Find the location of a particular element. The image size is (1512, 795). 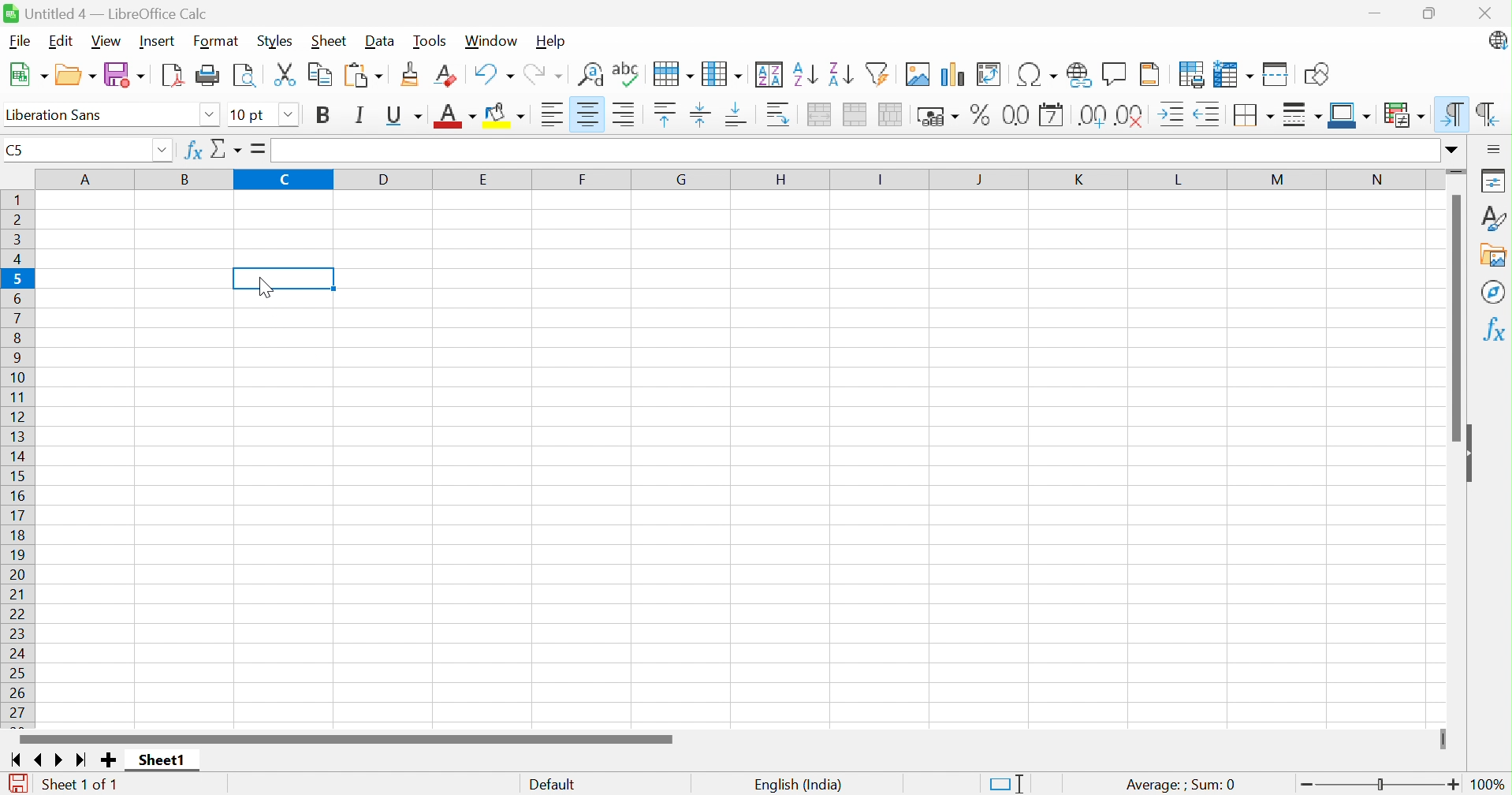

Merge Cells is located at coordinates (858, 114).